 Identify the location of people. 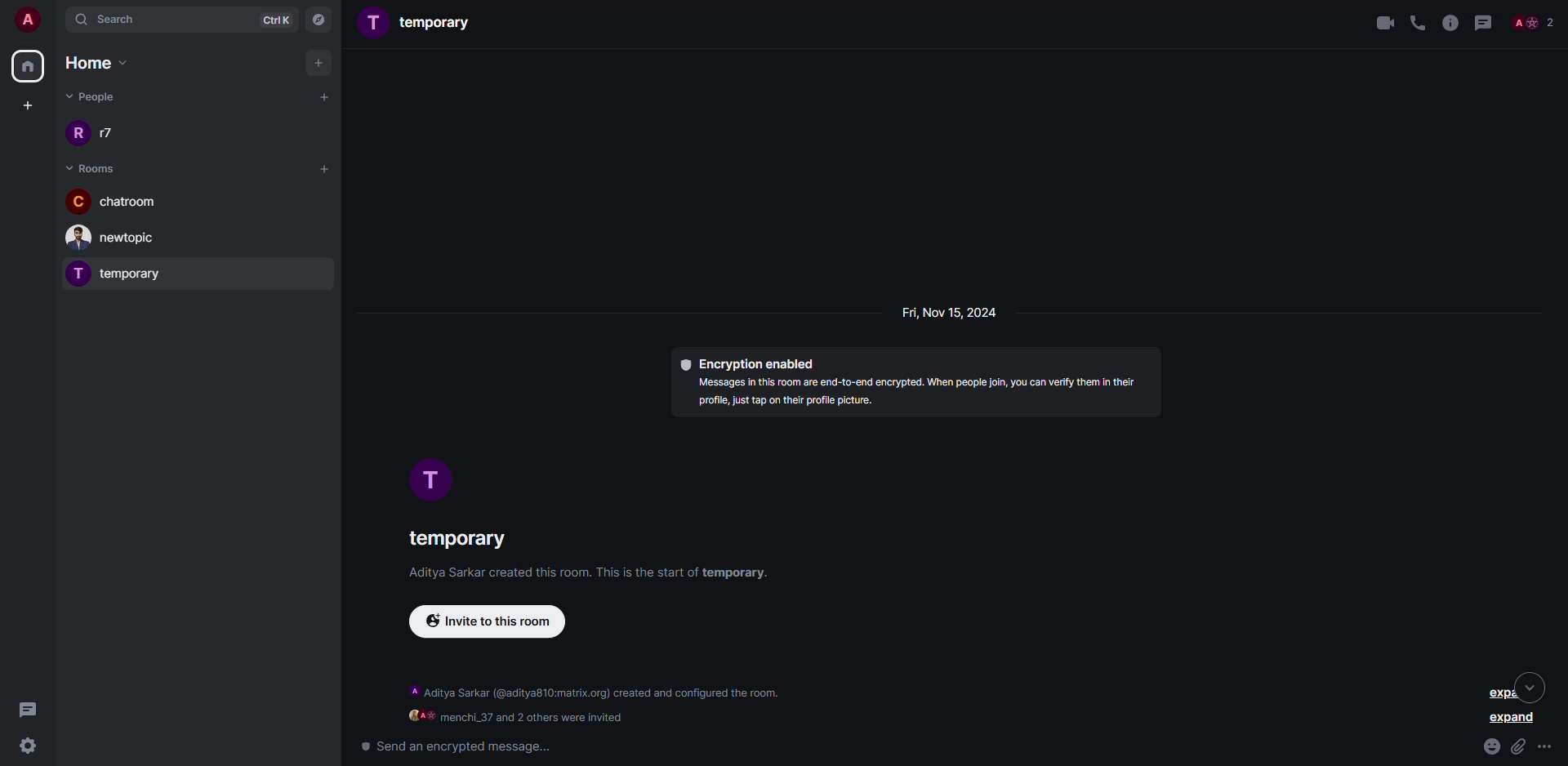
(1534, 21).